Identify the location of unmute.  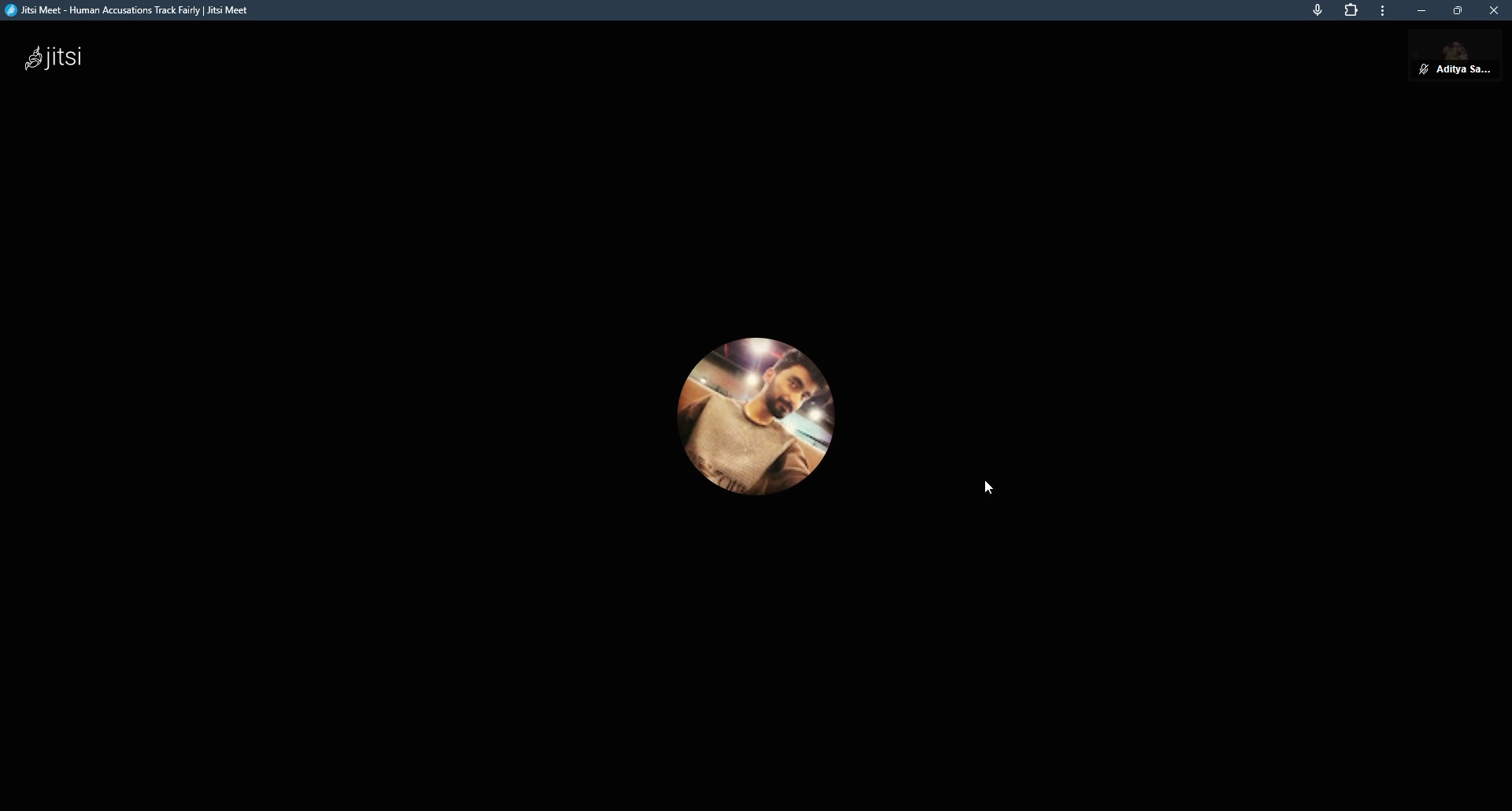
(1422, 69).